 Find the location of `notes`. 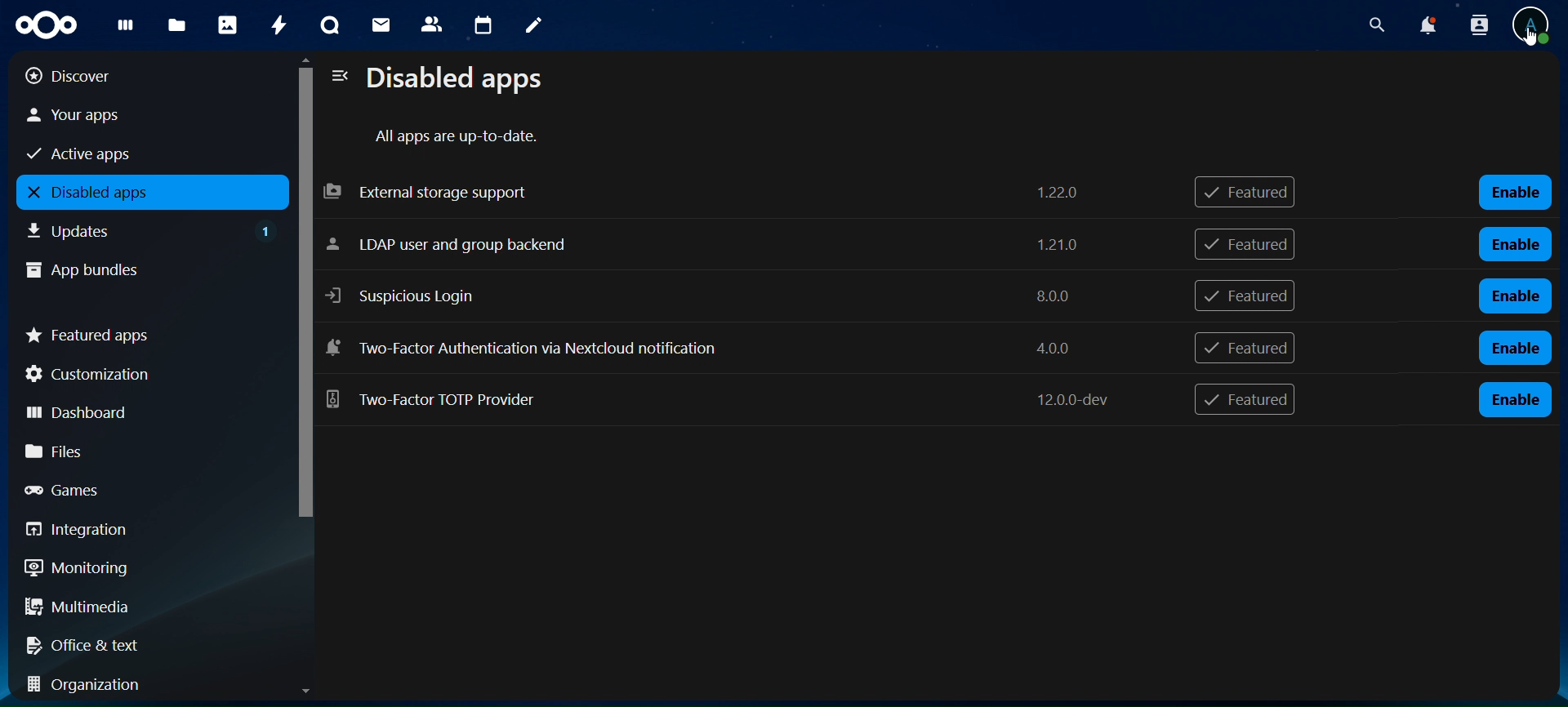

notes is located at coordinates (529, 23).